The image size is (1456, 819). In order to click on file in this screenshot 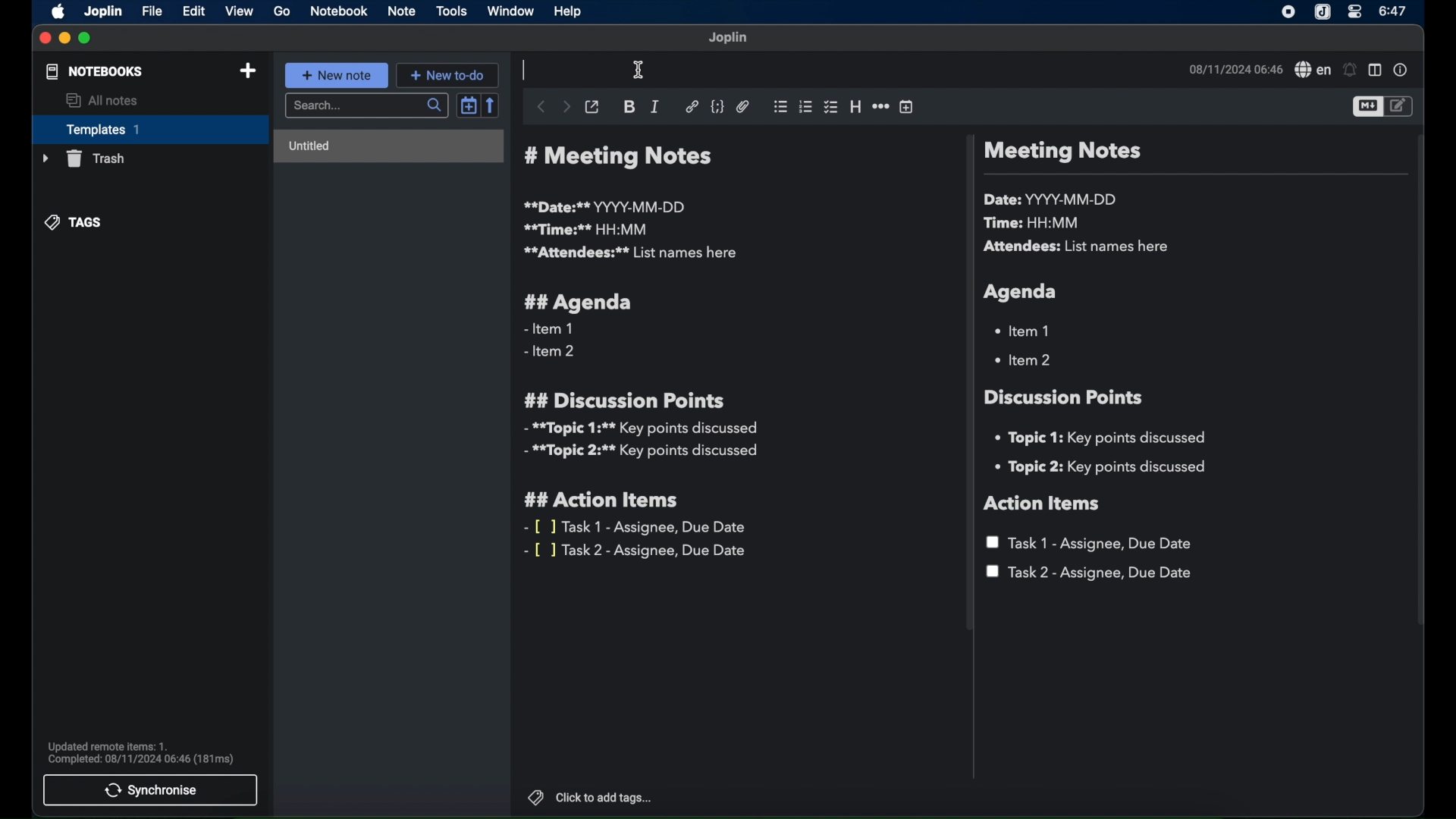, I will do `click(152, 11)`.